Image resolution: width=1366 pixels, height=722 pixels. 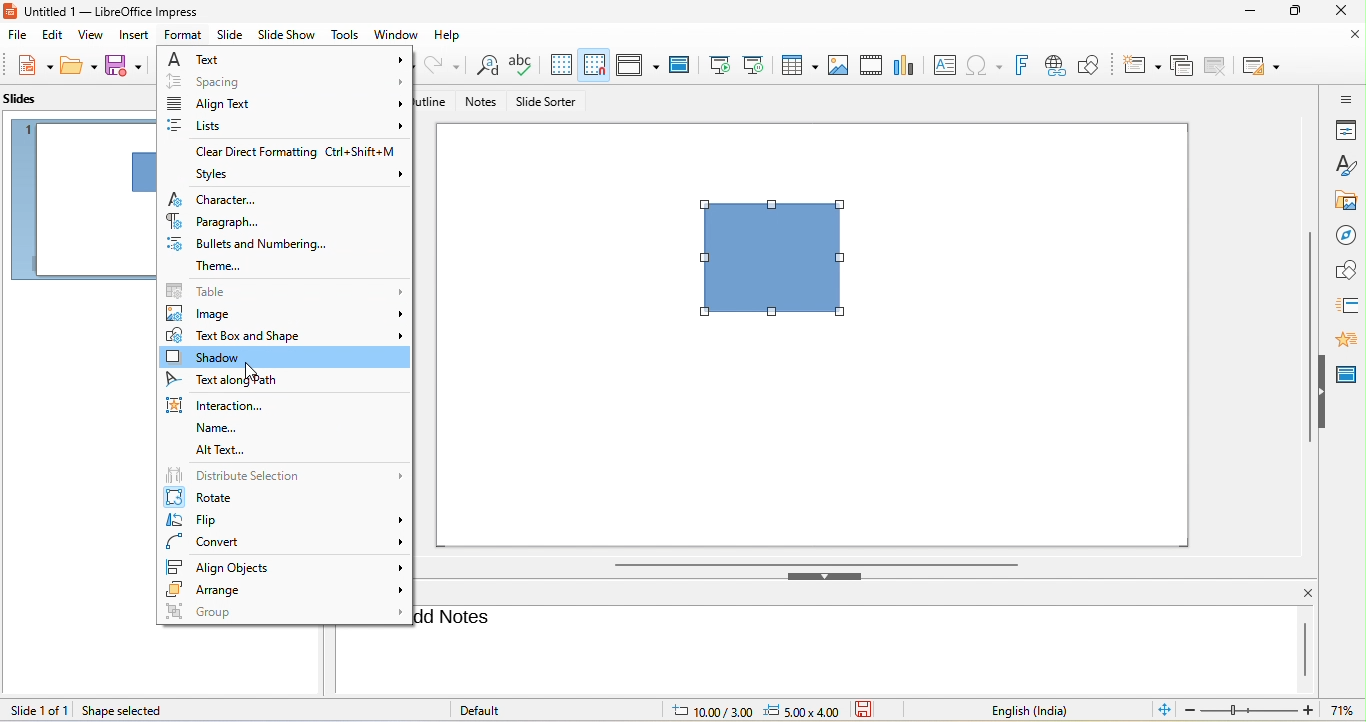 What do you see at coordinates (904, 63) in the screenshot?
I see `chart` at bounding box center [904, 63].